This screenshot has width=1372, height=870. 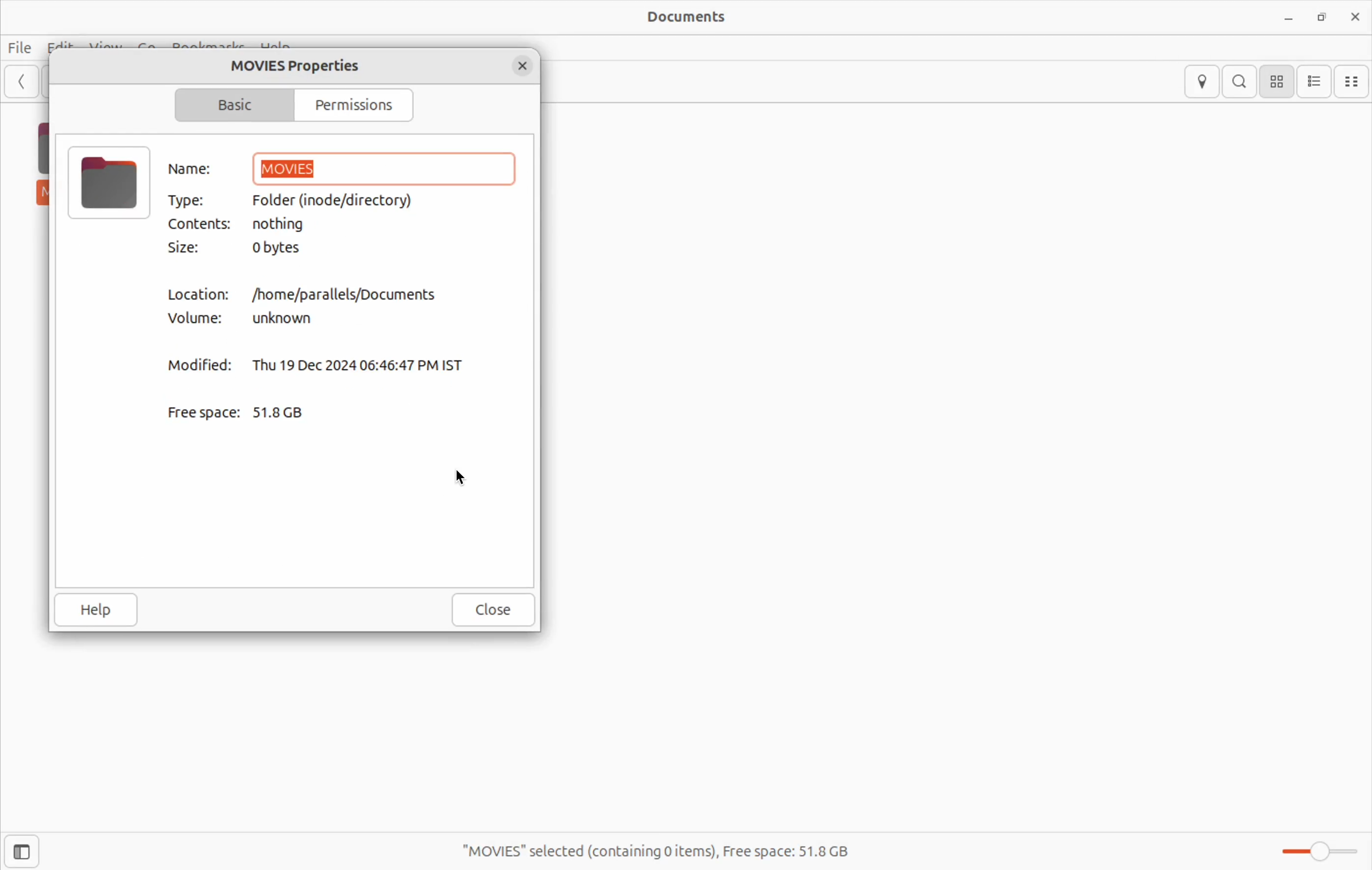 What do you see at coordinates (494, 610) in the screenshot?
I see `close` at bounding box center [494, 610].